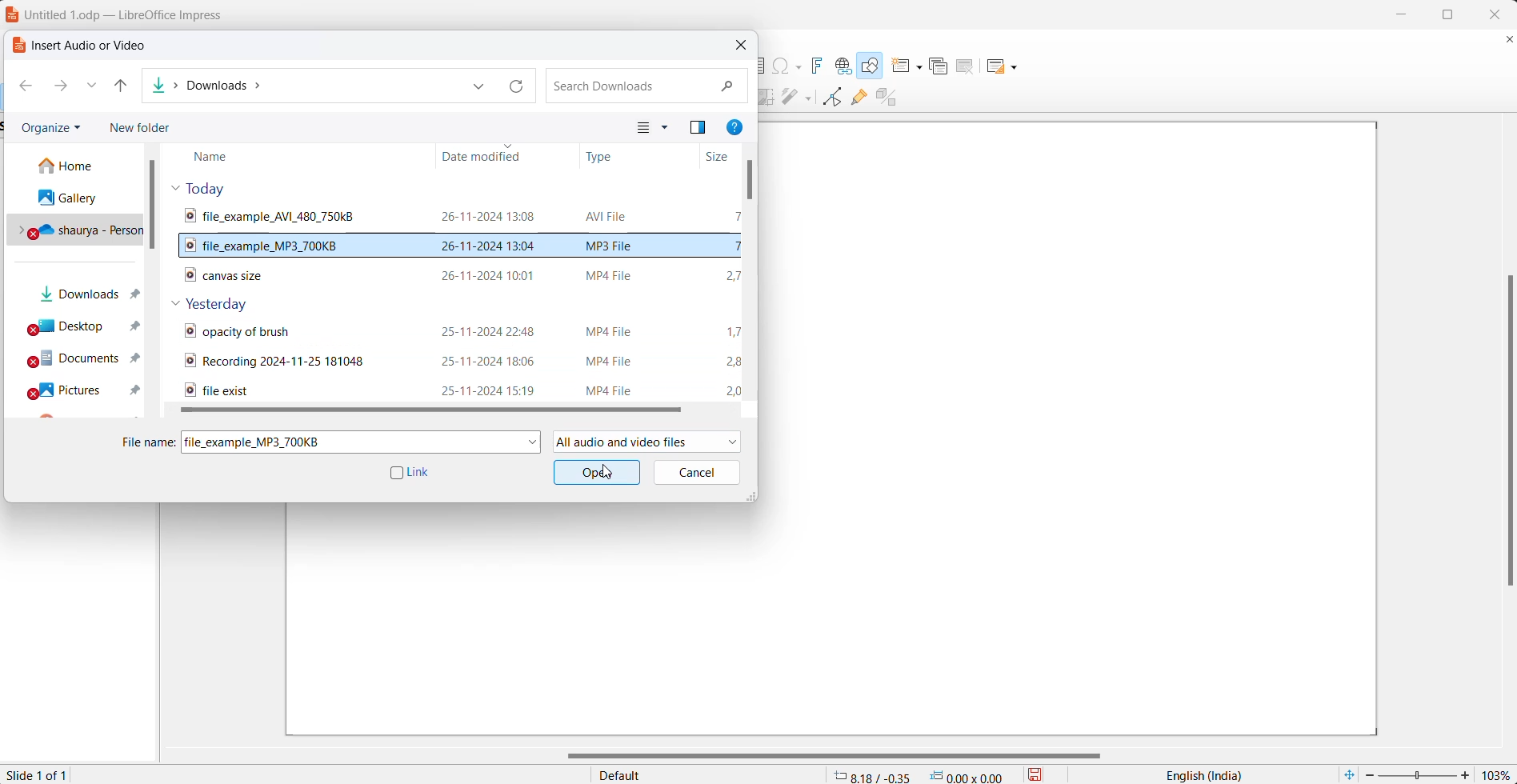 Image resolution: width=1517 pixels, height=784 pixels. Describe the element at coordinates (726, 246) in the screenshot. I see `selected audio file size` at that location.